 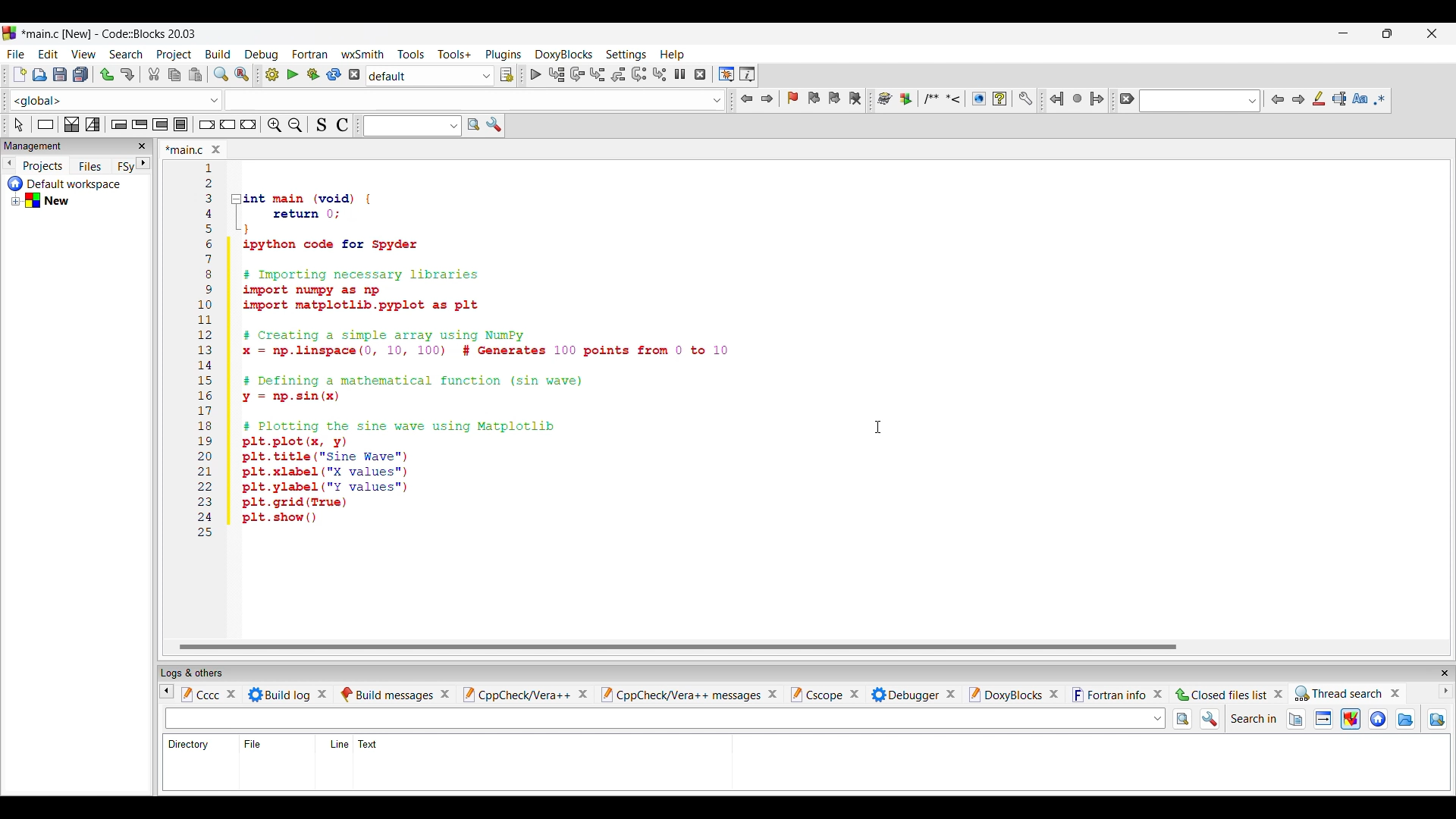 What do you see at coordinates (73, 127) in the screenshot?
I see `Decision` at bounding box center [73, 127].